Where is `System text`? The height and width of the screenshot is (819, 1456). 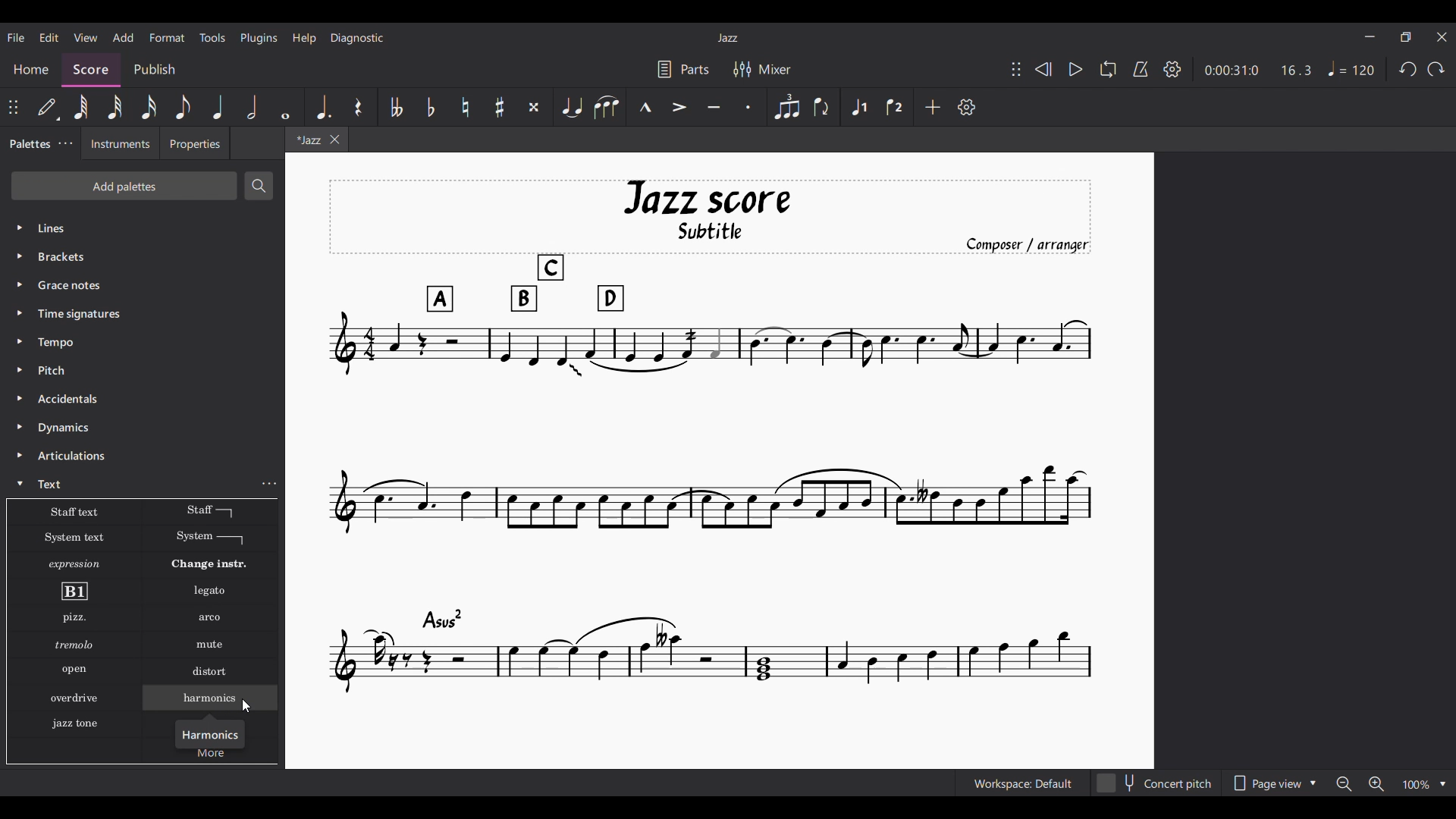 System text is located at coordinates (74, 537).